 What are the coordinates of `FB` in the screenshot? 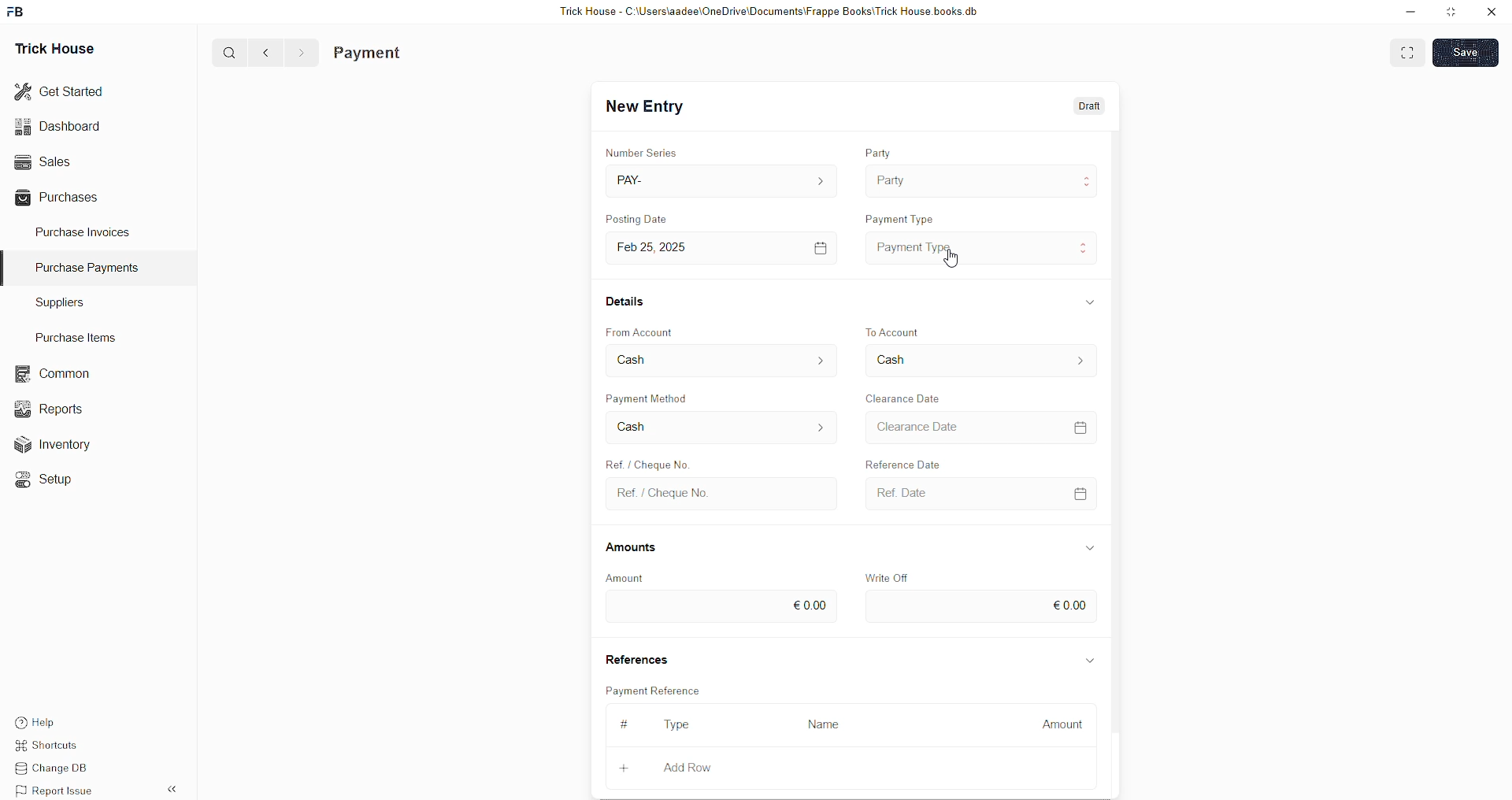 It's located at (18, 10).